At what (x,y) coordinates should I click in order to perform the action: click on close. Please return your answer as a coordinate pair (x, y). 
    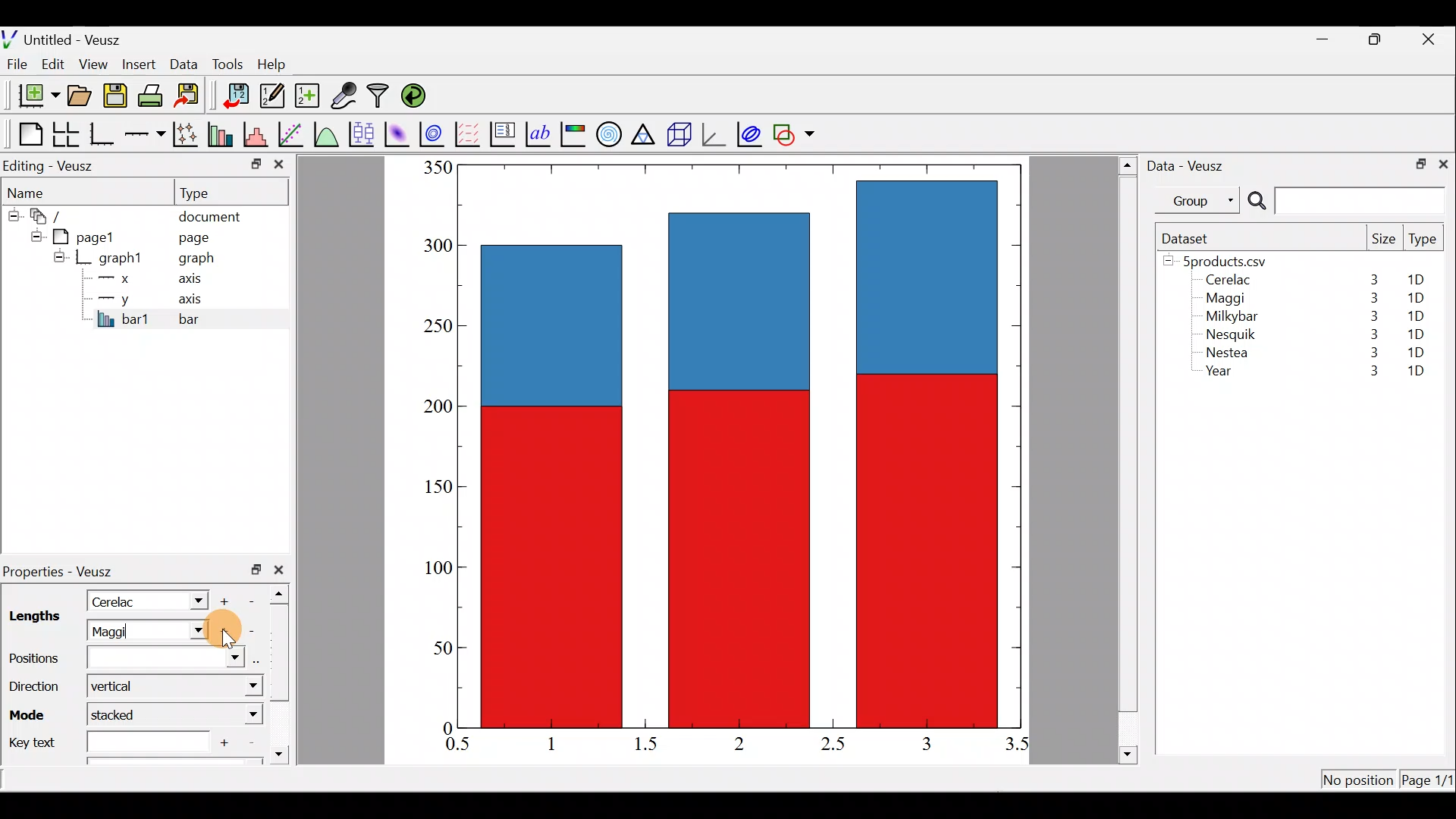
    Looking at the image, I should click on (279, 168).